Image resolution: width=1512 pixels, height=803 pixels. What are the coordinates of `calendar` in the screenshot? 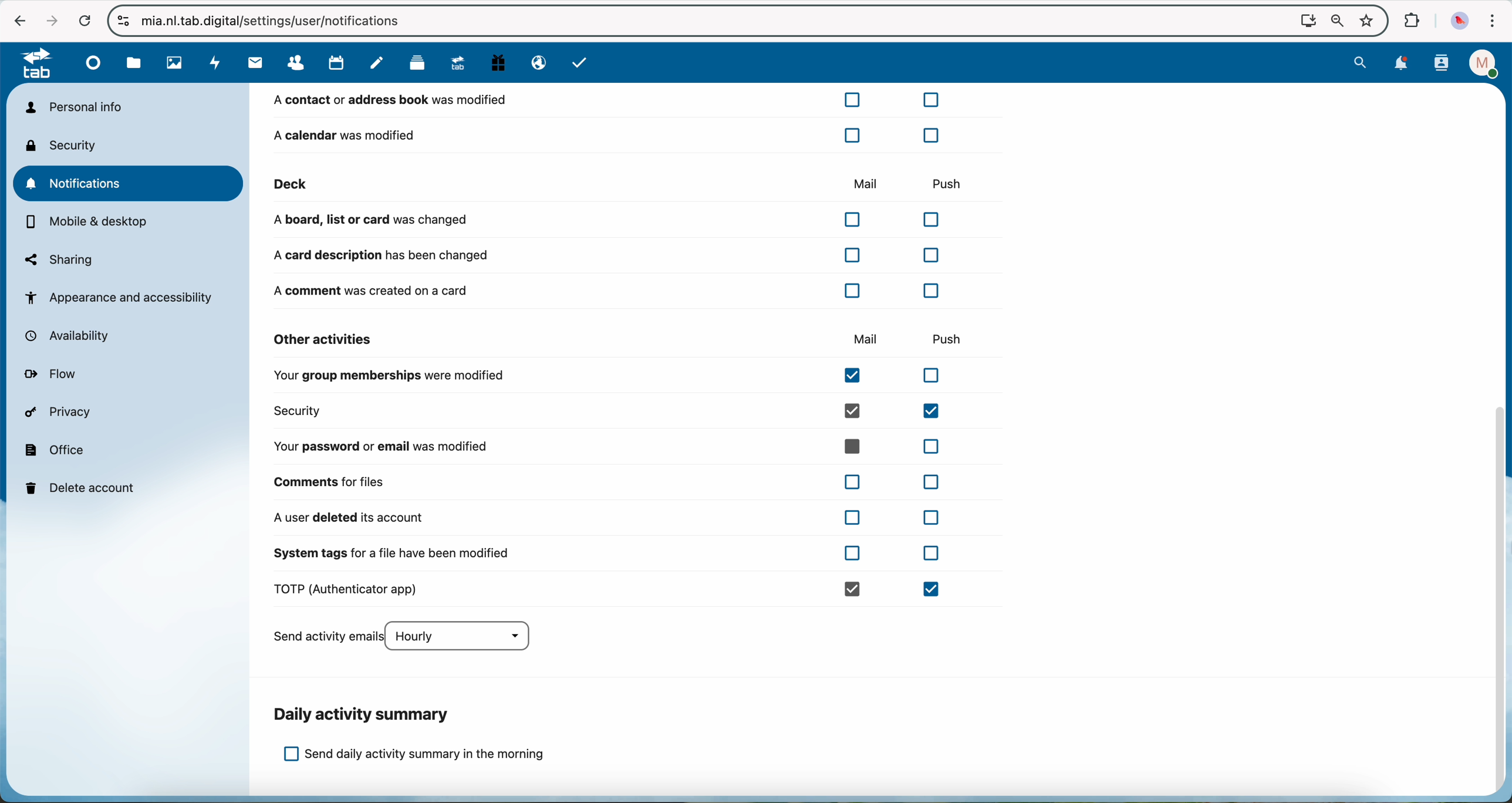 It's located at (338, 63).